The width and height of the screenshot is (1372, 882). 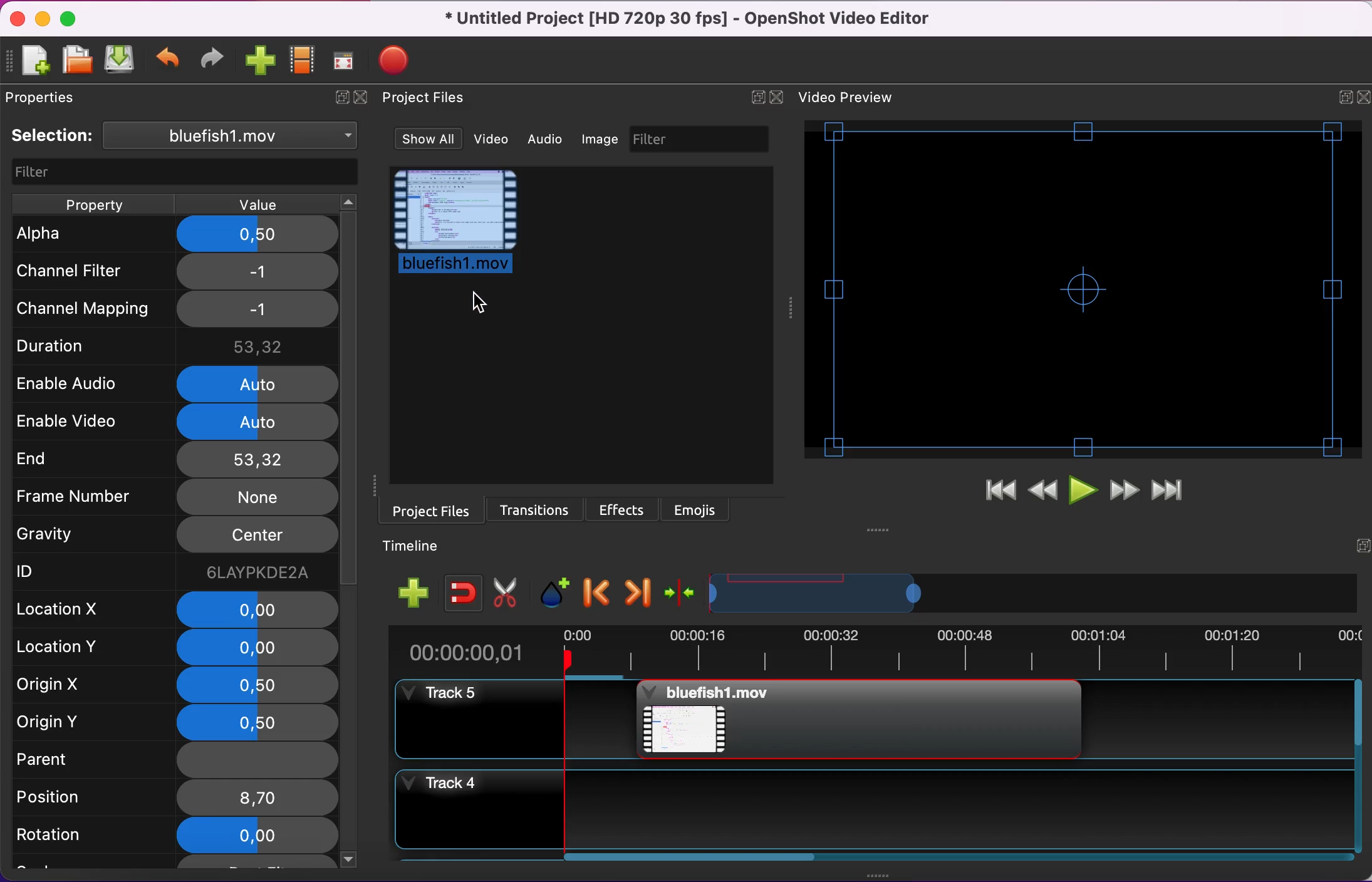 What do you see at coordinates (1363, 98) in the screenshot?
I see `close` at bounding box center [1363, 98].